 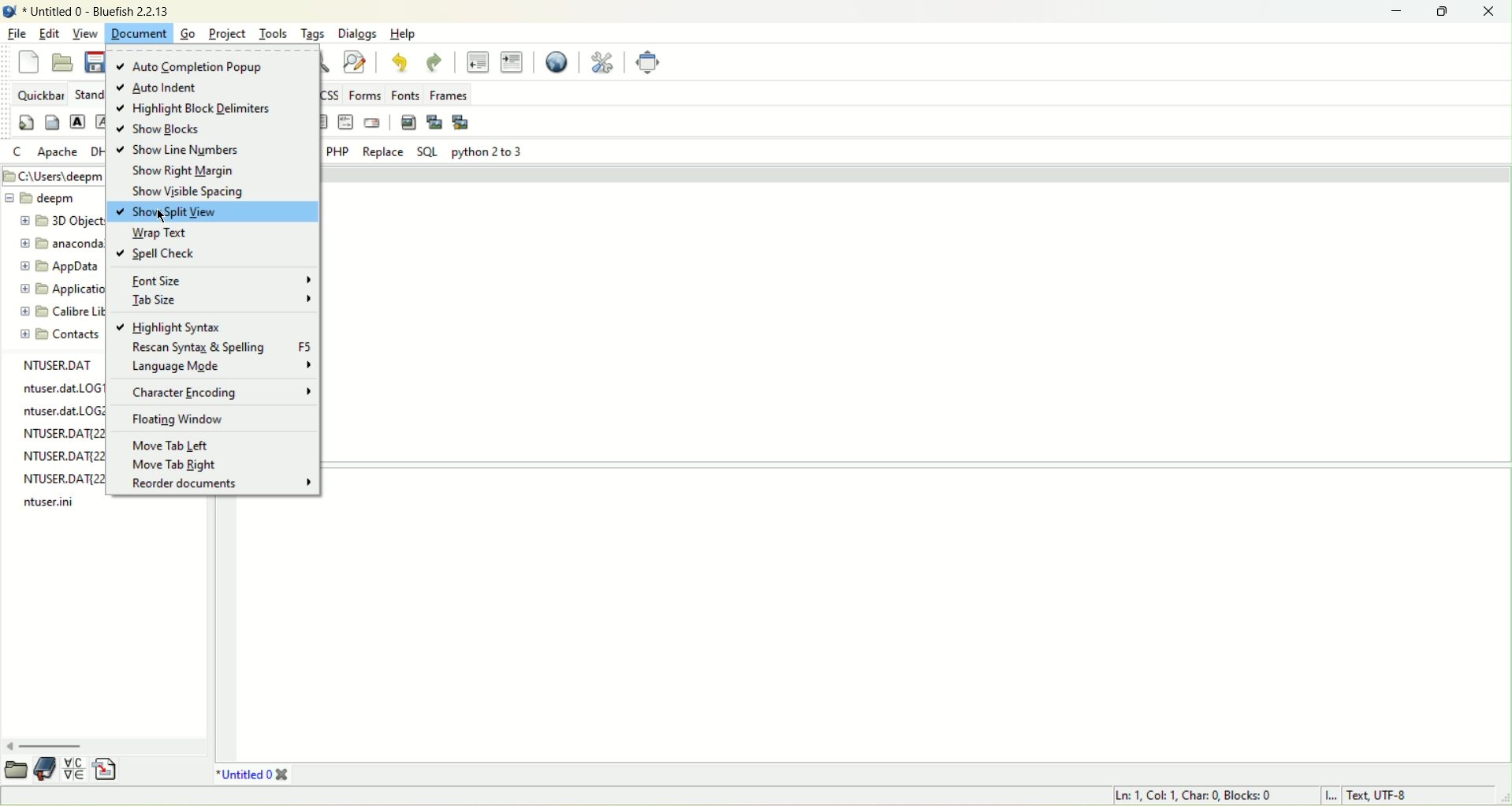 I want to click on css, so click(x=330, y=95).